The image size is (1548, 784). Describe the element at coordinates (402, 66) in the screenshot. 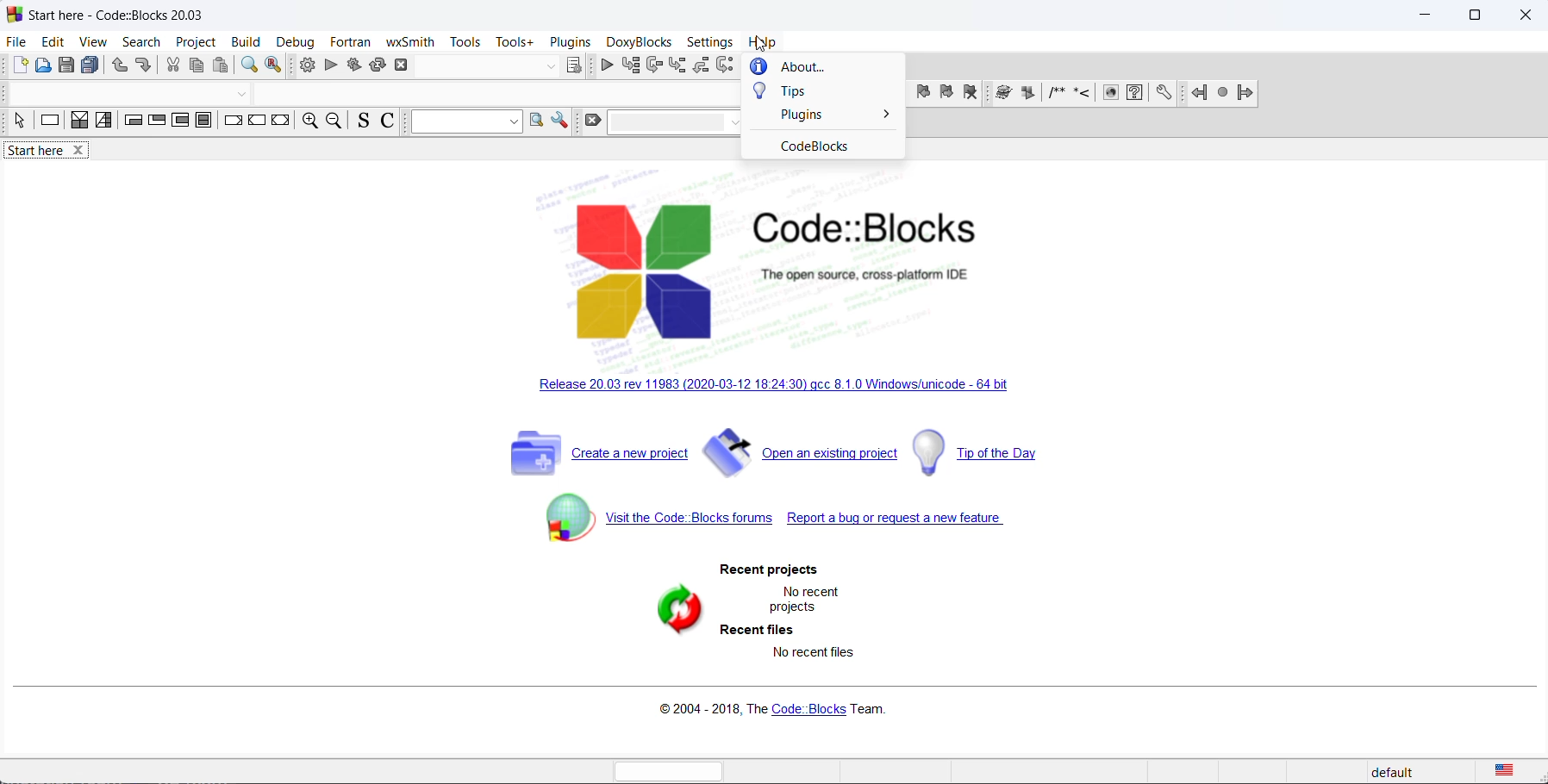

I see `abort` at that location.